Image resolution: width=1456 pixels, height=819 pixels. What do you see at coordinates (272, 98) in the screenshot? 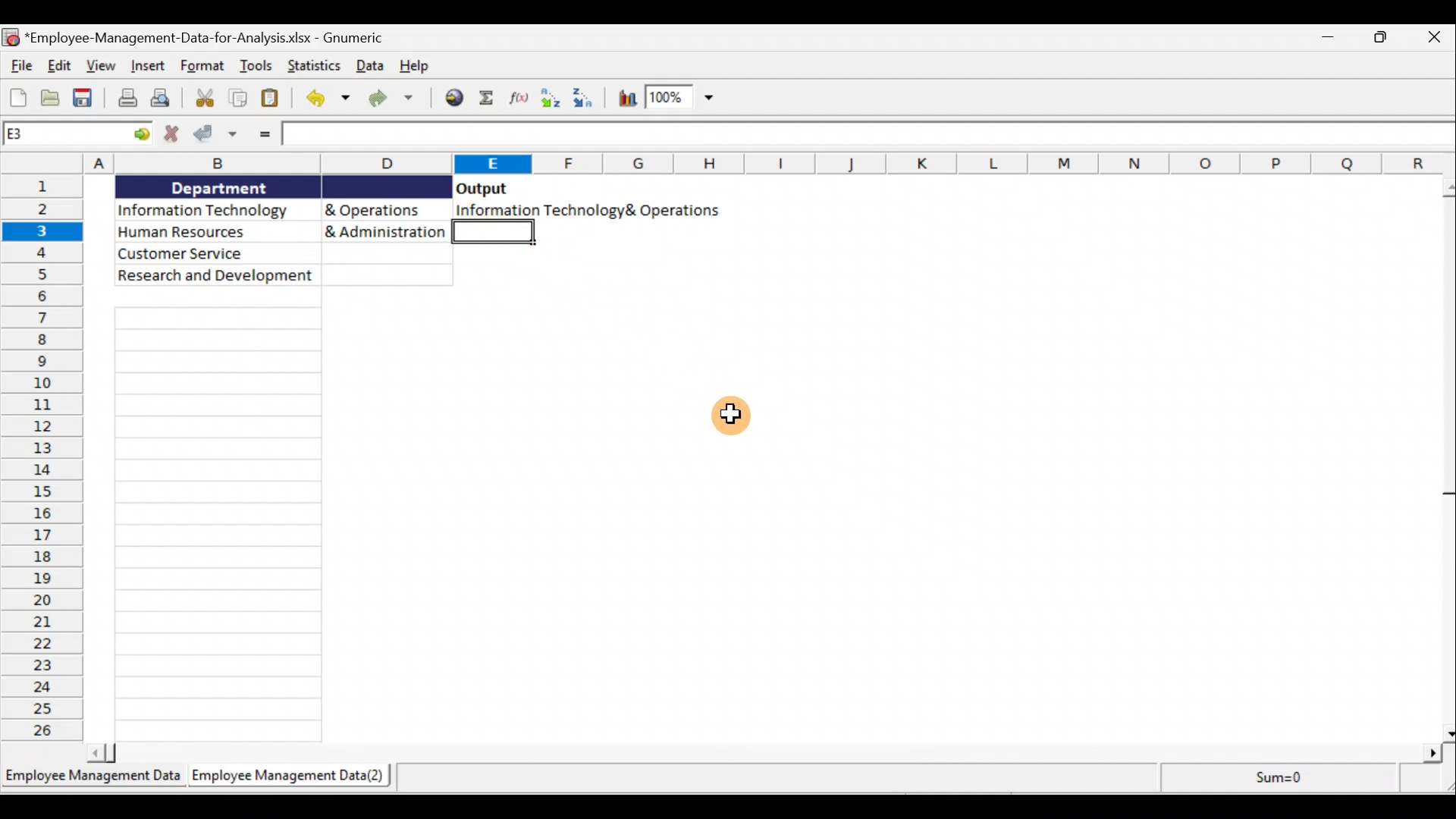
I see `Paste clipboard` at bounding box center [272, 98].